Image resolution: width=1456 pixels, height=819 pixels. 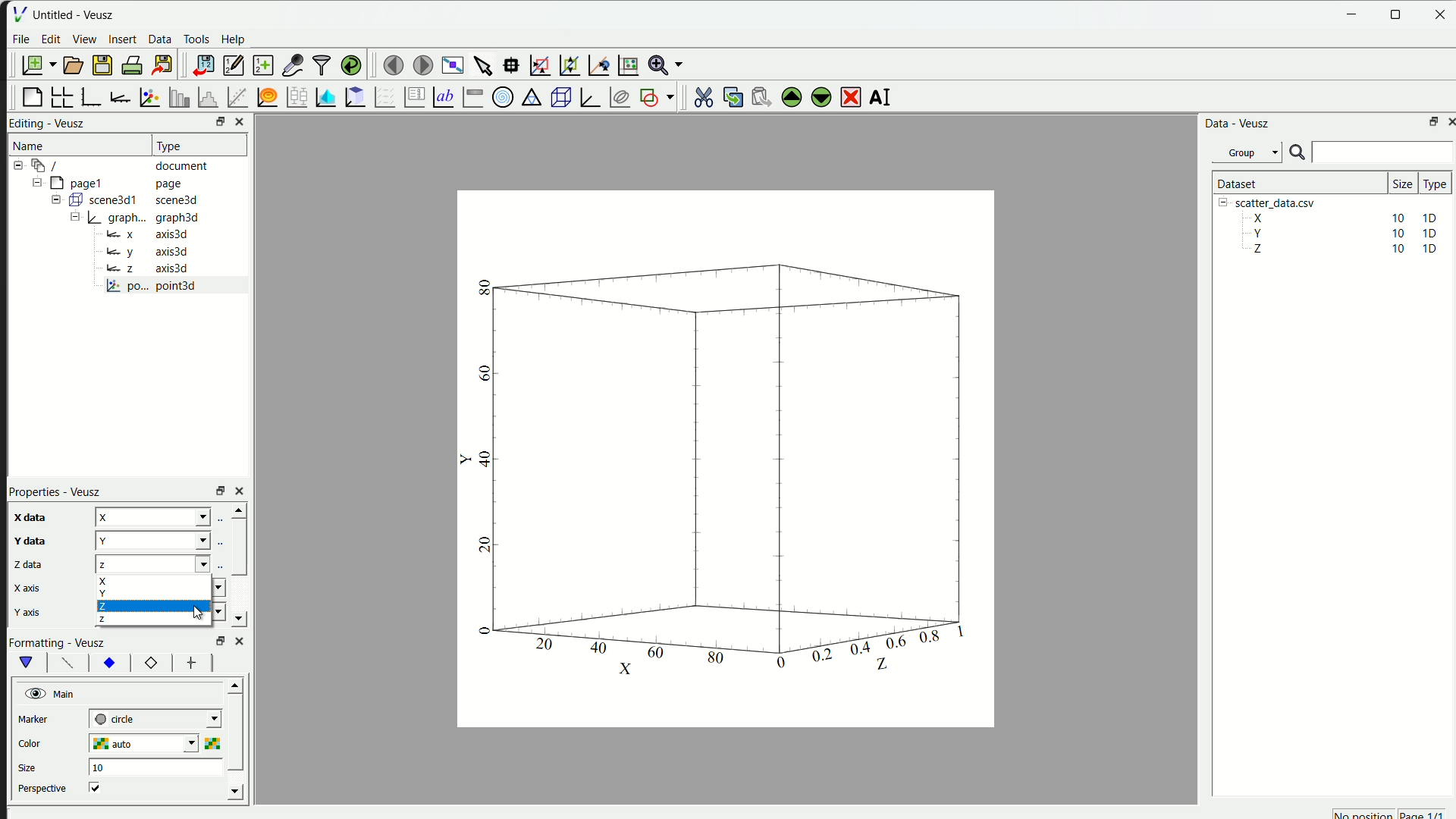 I want to click on | File, so click(x=18, y=12).